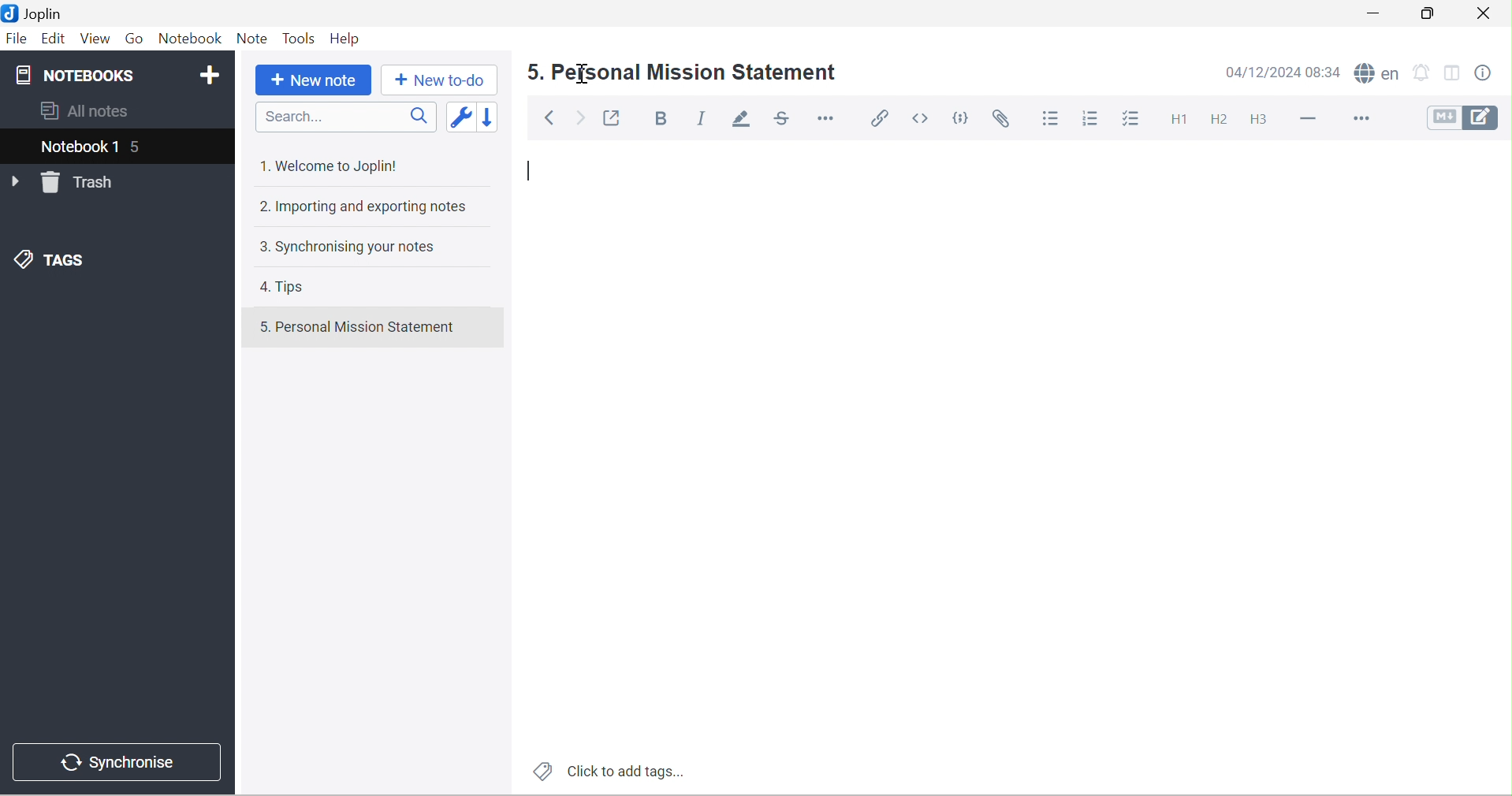 The image size is (1512, 796). What do you see at coordinates (1457, 74) in the screenshot?
I see `Toggle editor layouts` at bounding box center [1457, 74].